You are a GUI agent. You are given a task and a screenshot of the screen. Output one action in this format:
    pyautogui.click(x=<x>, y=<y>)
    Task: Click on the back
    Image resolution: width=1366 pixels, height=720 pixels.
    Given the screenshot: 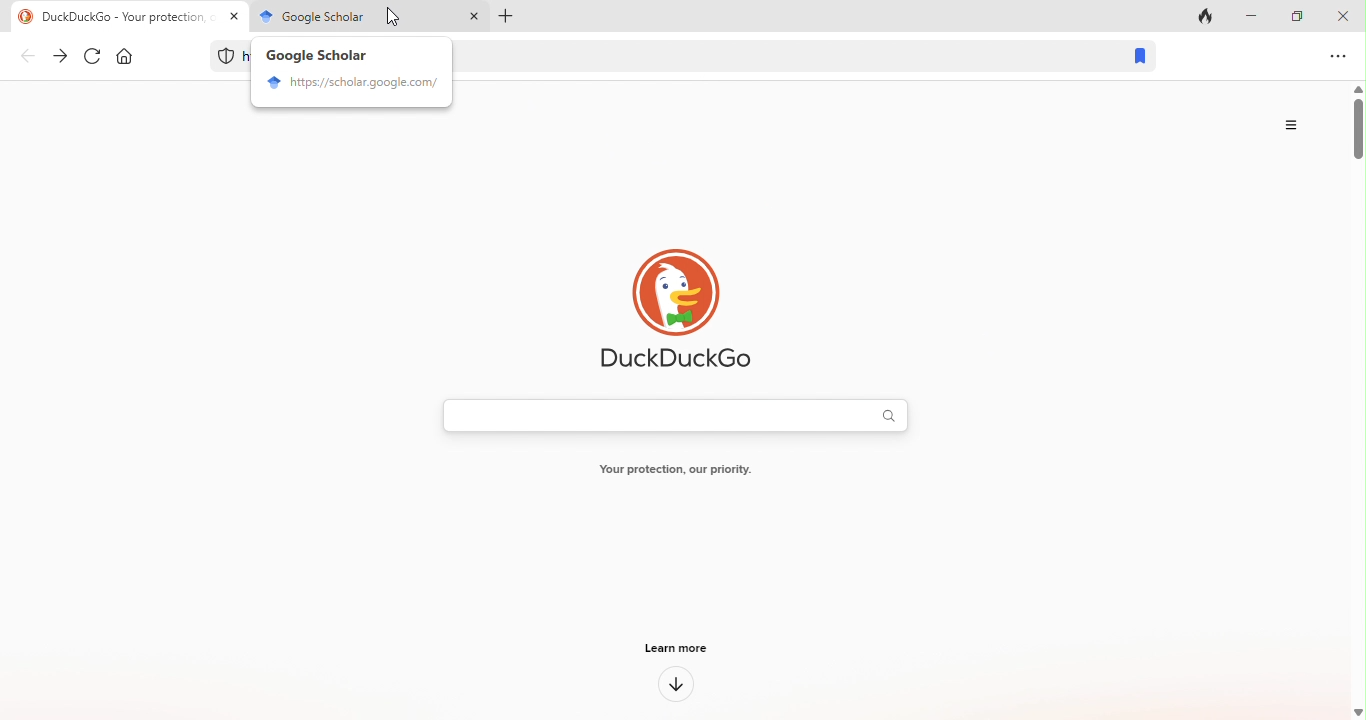 What is the action you would take?
    pyautogui.click(x=29, y=59)
    